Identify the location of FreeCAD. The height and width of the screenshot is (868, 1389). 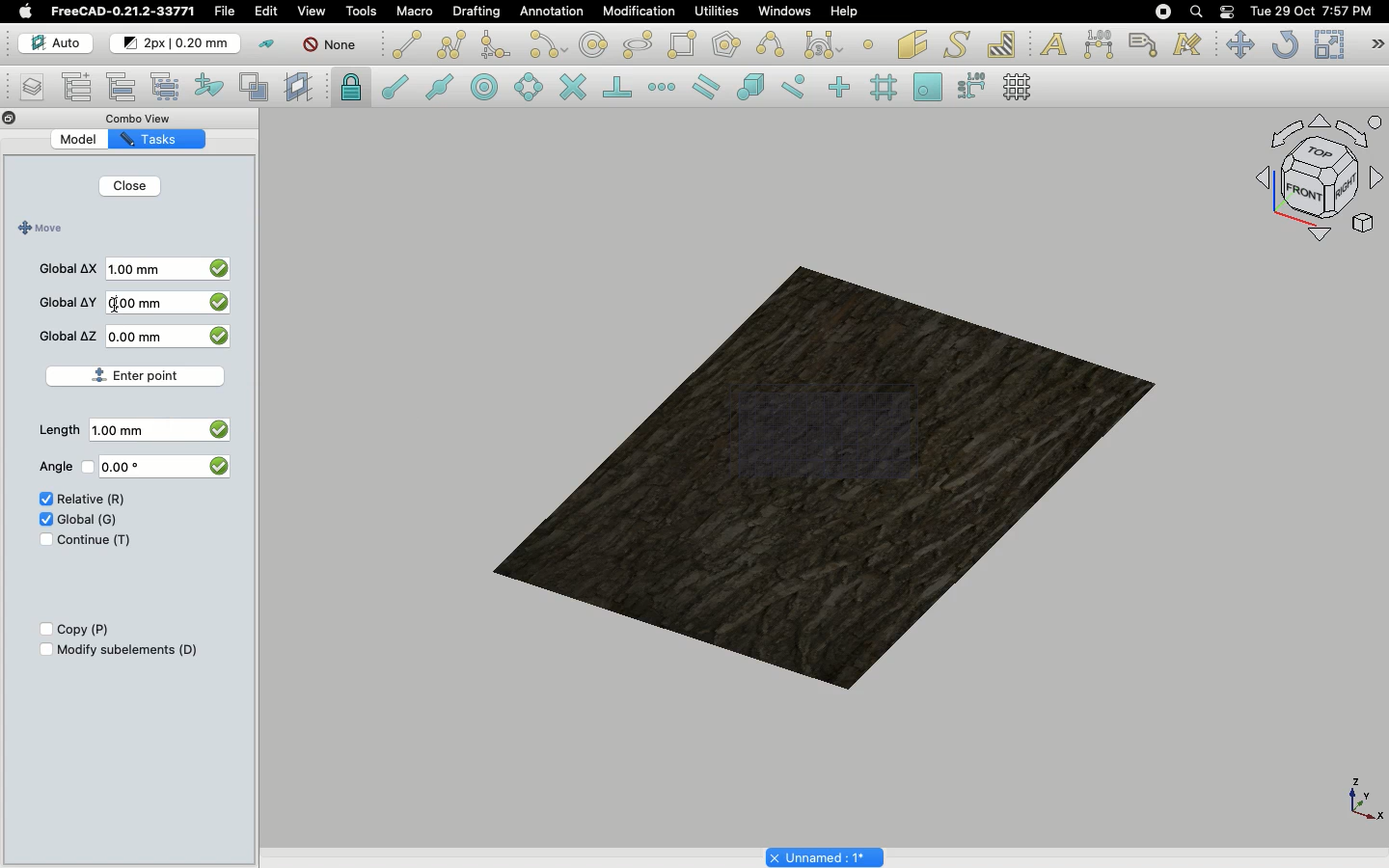
(124, 12).